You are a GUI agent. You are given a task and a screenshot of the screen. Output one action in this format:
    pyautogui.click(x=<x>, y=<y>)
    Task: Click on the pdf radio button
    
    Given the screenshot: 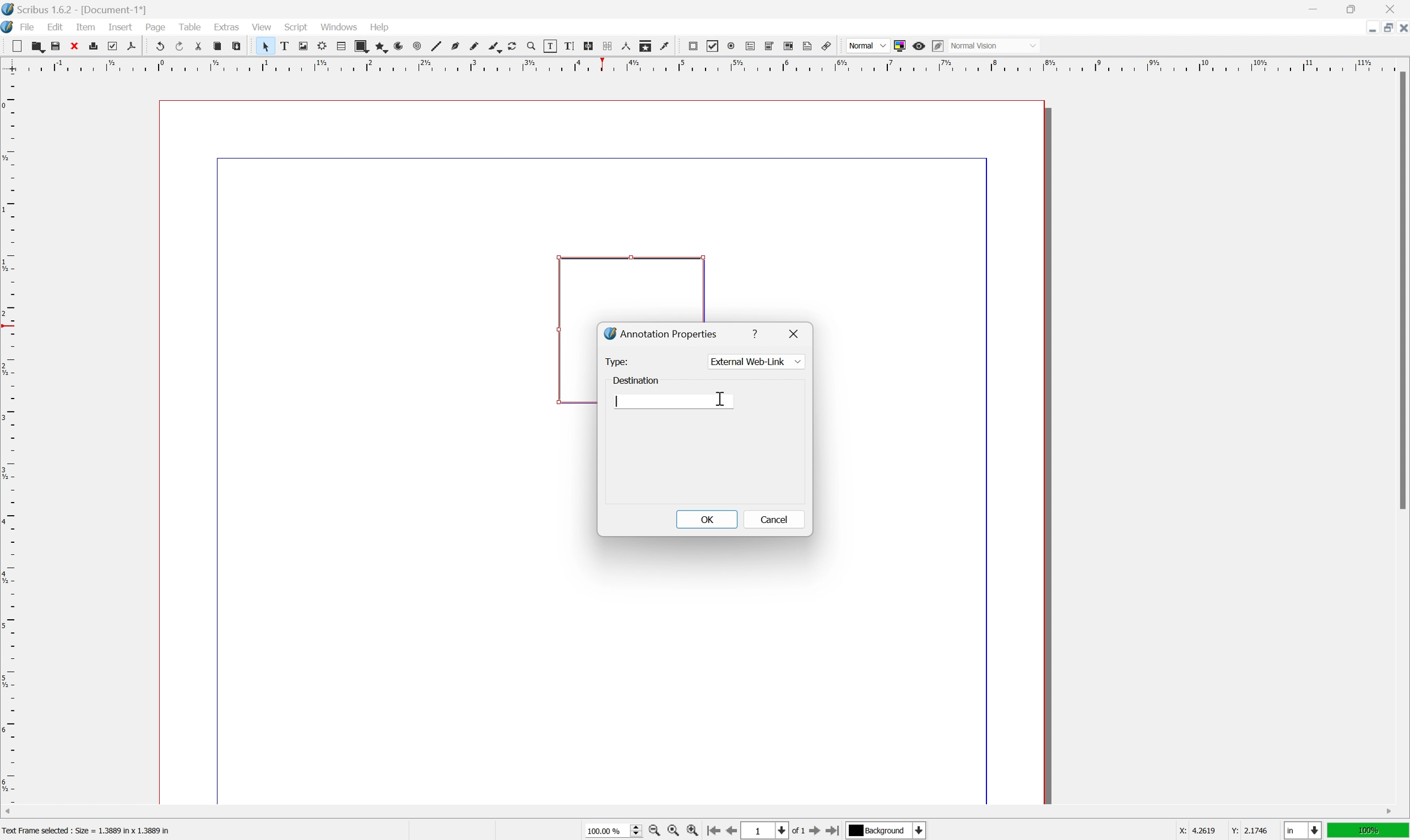 What is the action you would take?
    pyautogui.click(x=731, y=46)
    